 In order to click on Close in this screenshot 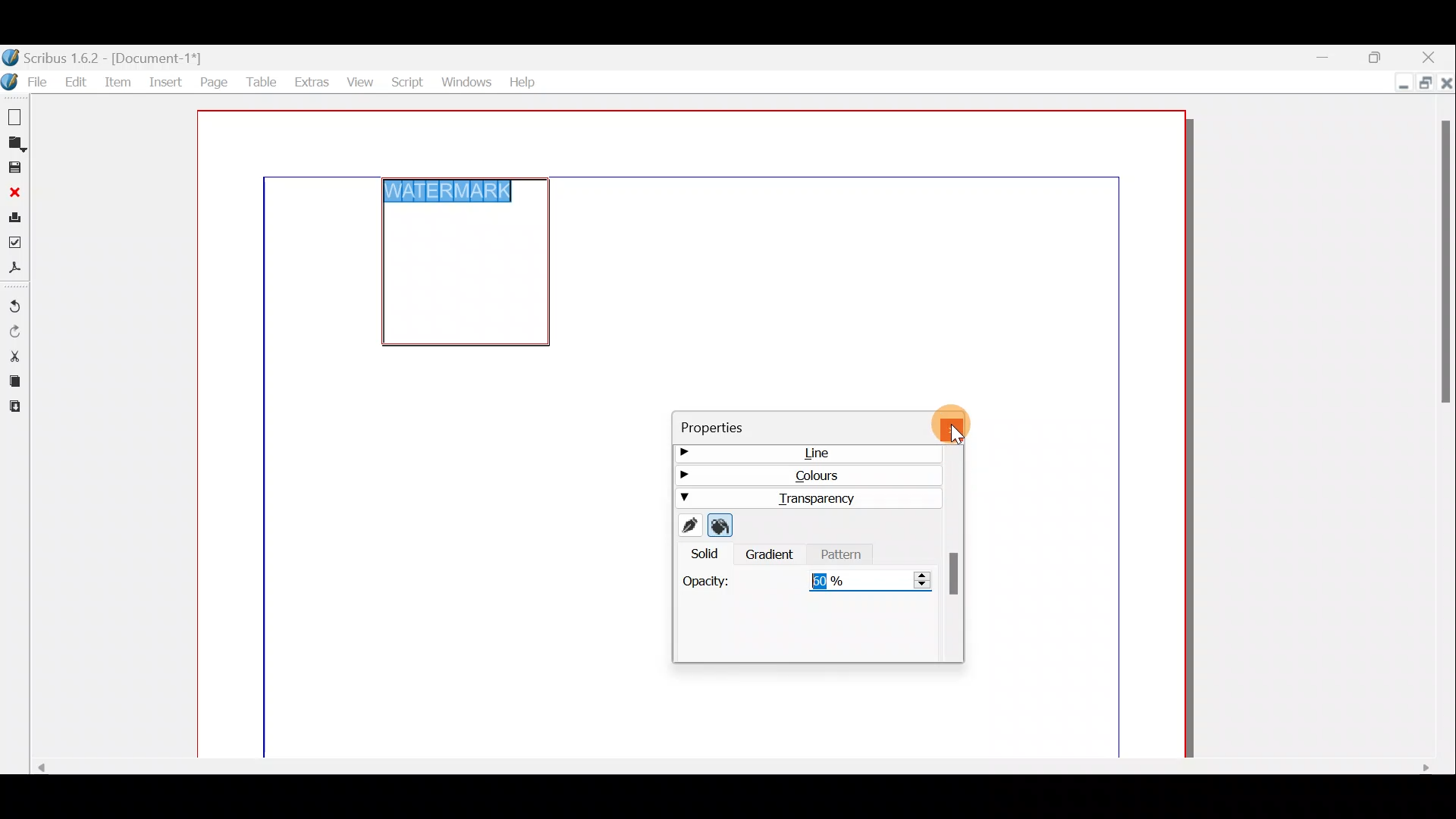, I will do `click(14, 193)`.